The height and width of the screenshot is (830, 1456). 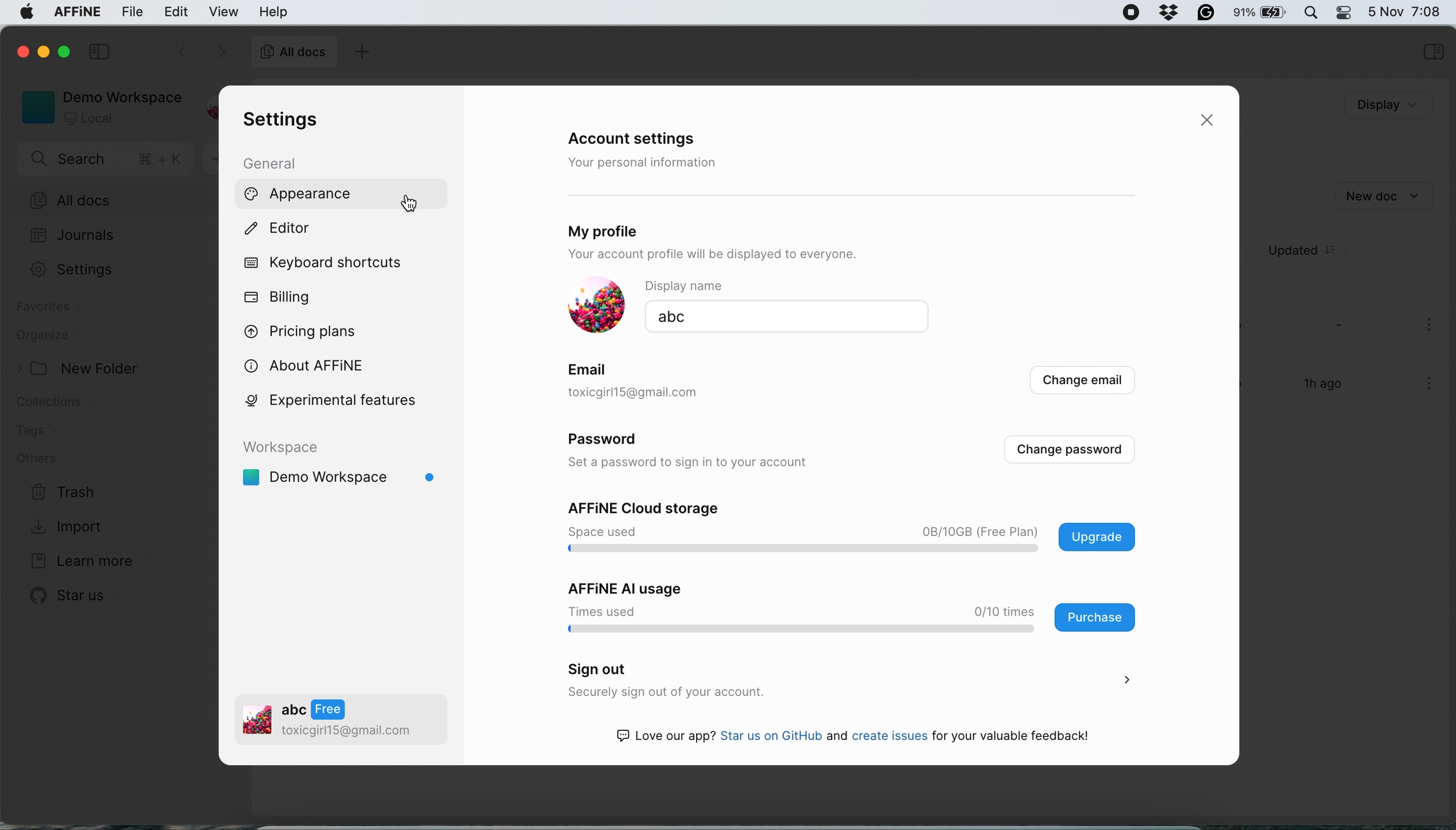 What do you see at coordinates (294, 53) in the screenshot?
I see `all docs` at bounding box center [294, 53].